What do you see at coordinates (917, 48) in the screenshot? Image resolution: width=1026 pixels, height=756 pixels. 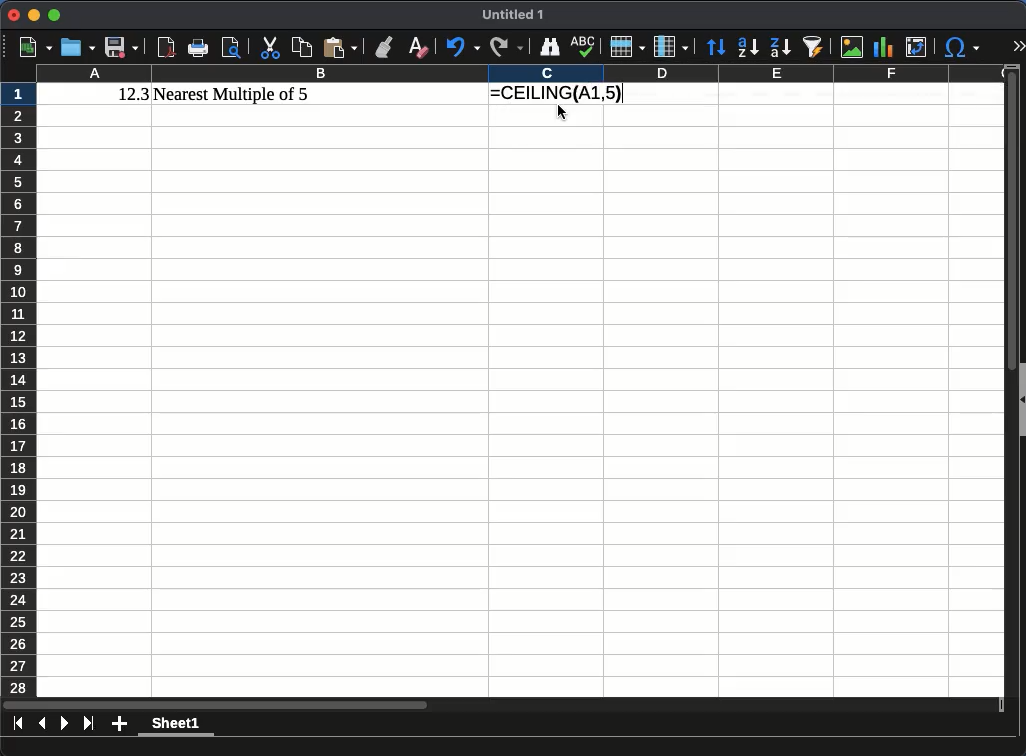 I see `pivot table` at bounding box center [917, 48].